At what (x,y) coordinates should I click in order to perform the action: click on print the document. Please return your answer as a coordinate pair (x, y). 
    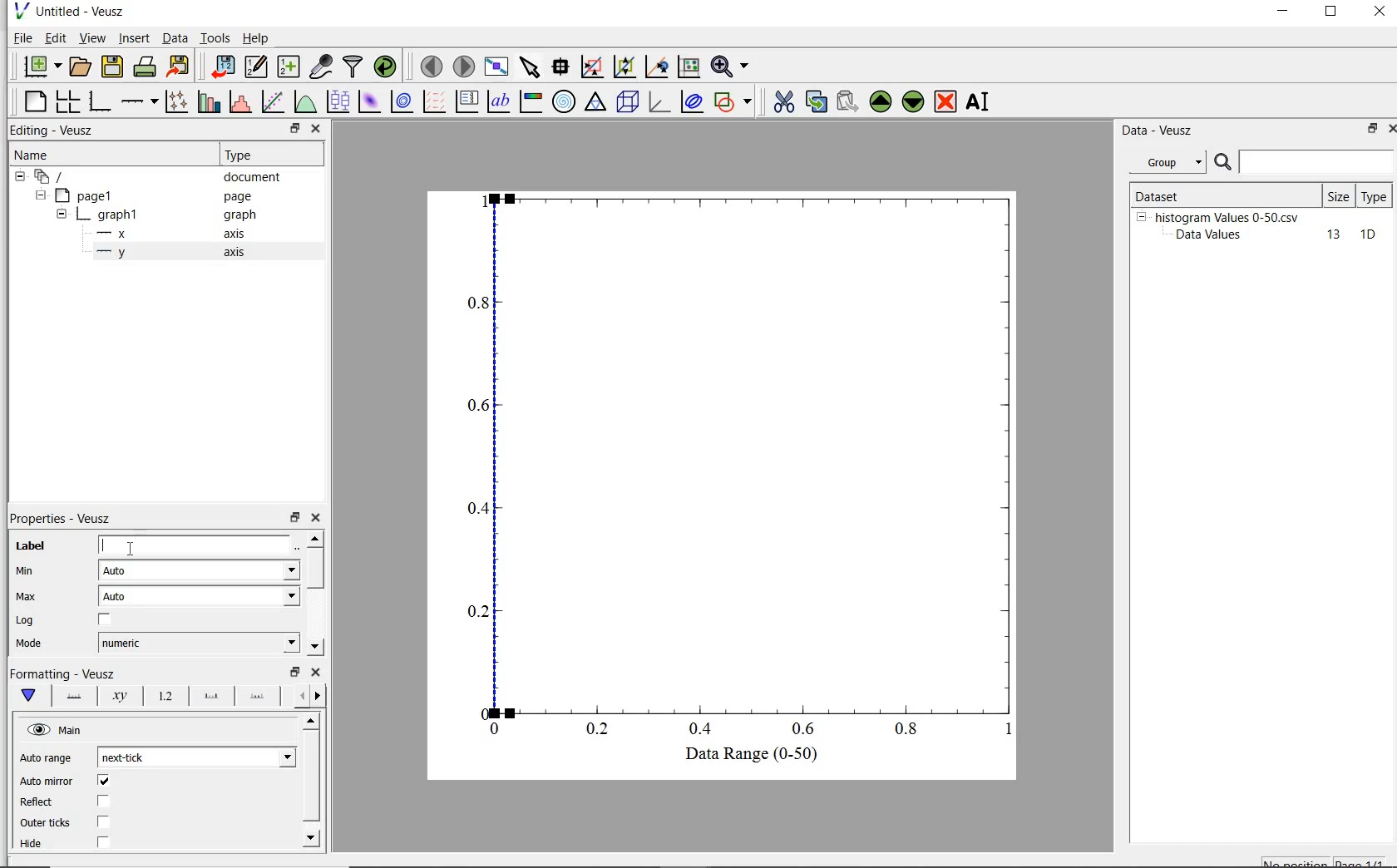
    Looking at the image, I should click on (146, 65).